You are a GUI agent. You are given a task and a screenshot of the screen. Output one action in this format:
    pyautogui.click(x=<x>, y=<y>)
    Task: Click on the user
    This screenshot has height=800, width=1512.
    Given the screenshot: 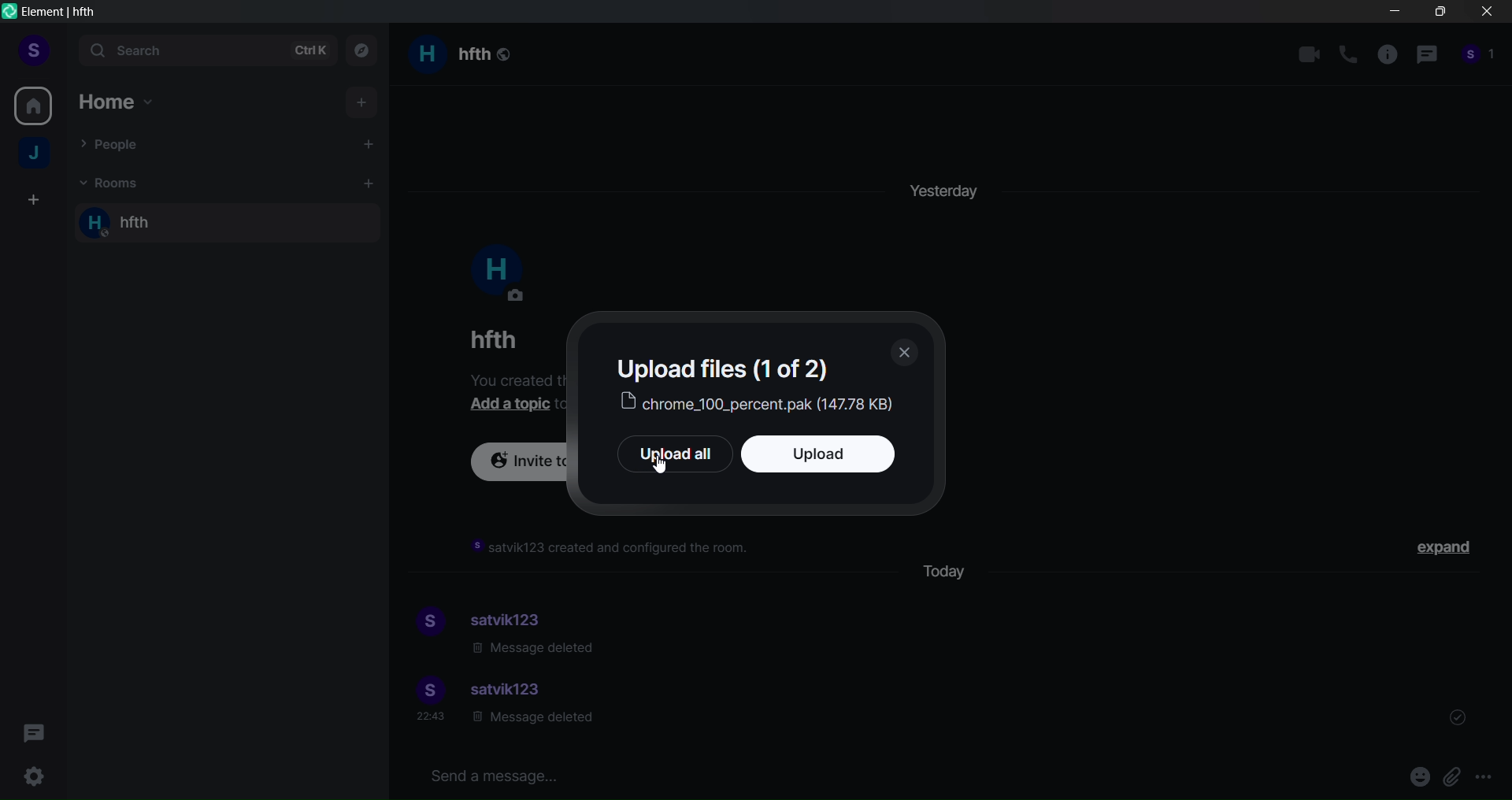 What is the action you would take?
    pyautogui.click(x=33, y=49)
    